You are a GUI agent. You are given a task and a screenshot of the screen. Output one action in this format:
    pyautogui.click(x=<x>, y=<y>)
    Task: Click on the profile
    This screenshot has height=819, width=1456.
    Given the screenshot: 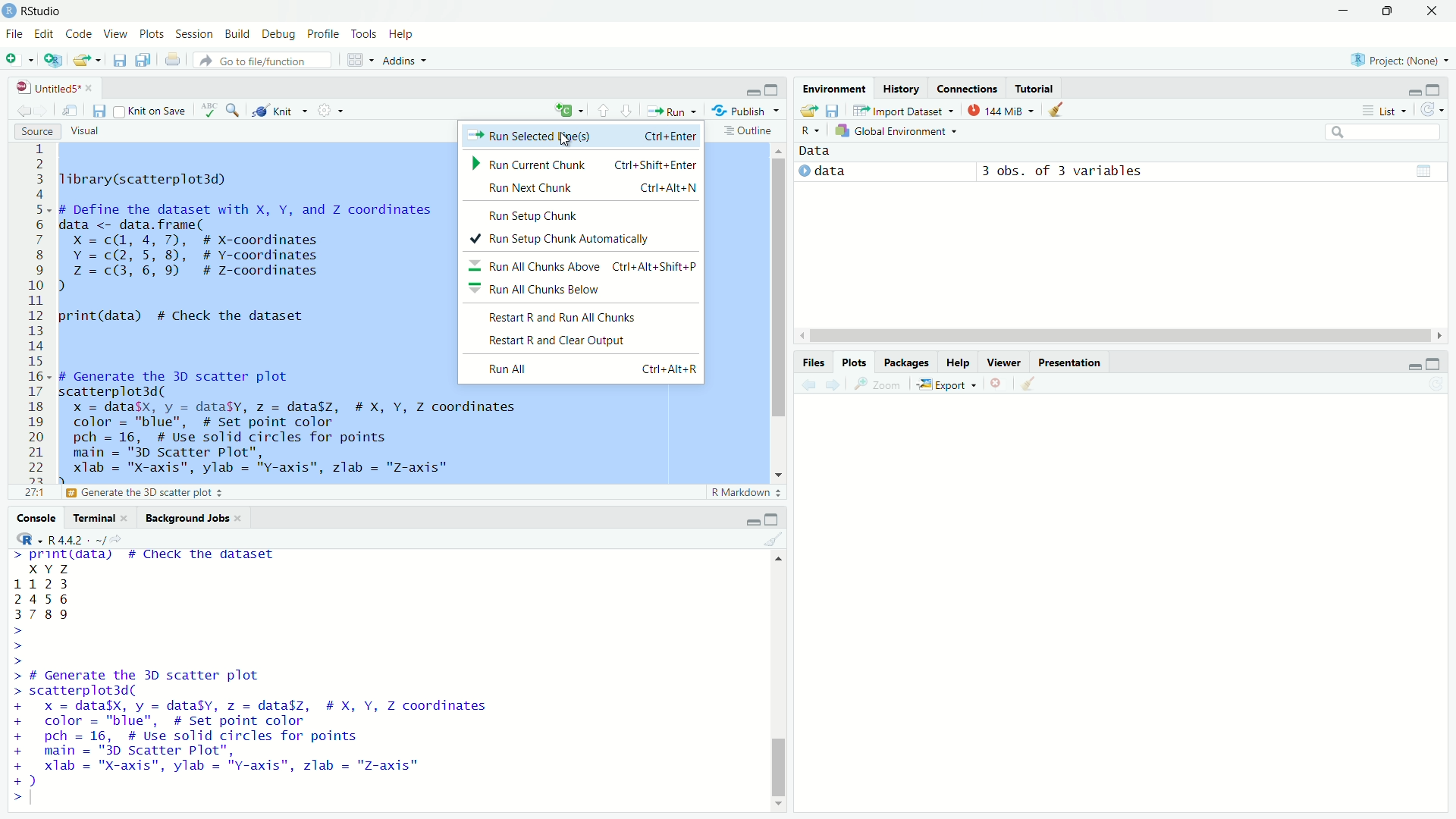 What is the action you would take?
    pyautogui.click(x=322, y=33)
    